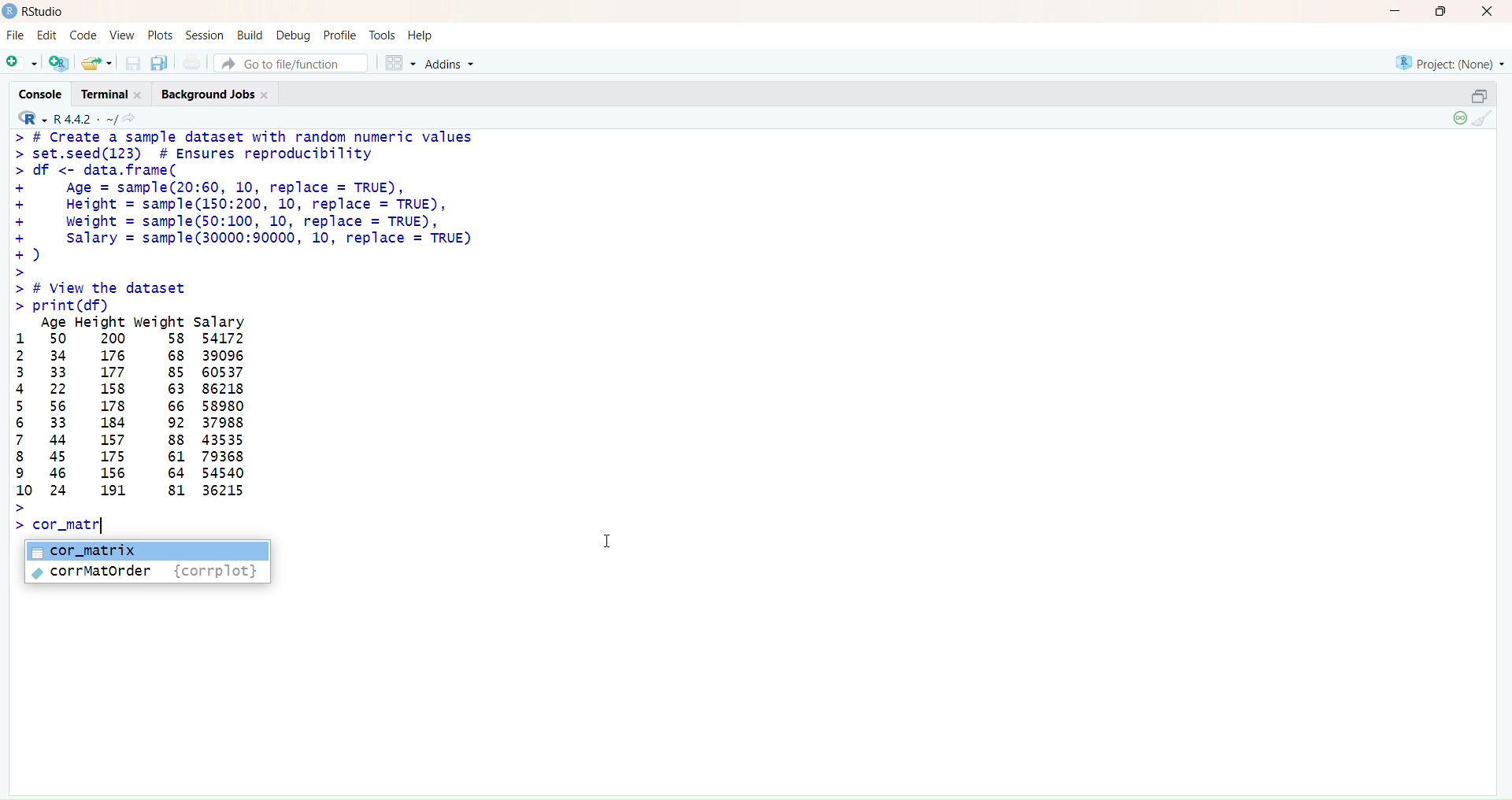 This screenshot has width=1512, height=800. Describe the element at coordinates (135, 118) in the screenshot. I see `Show in new window` at that location.